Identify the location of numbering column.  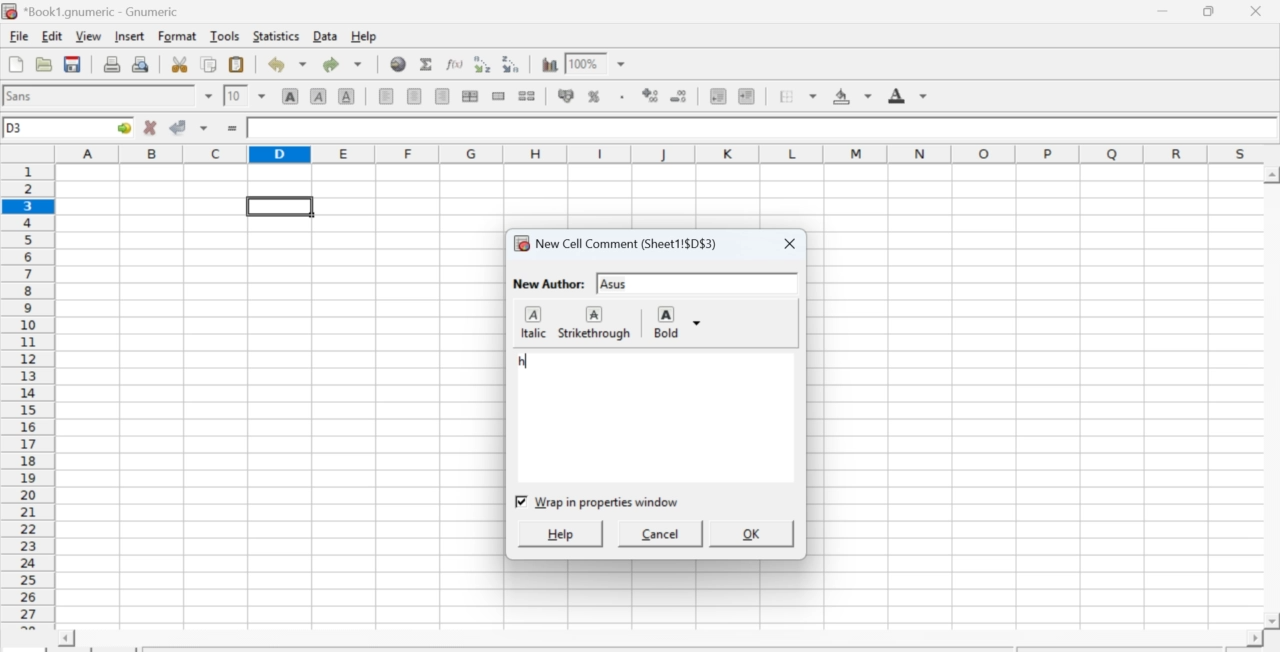
(30, 396).